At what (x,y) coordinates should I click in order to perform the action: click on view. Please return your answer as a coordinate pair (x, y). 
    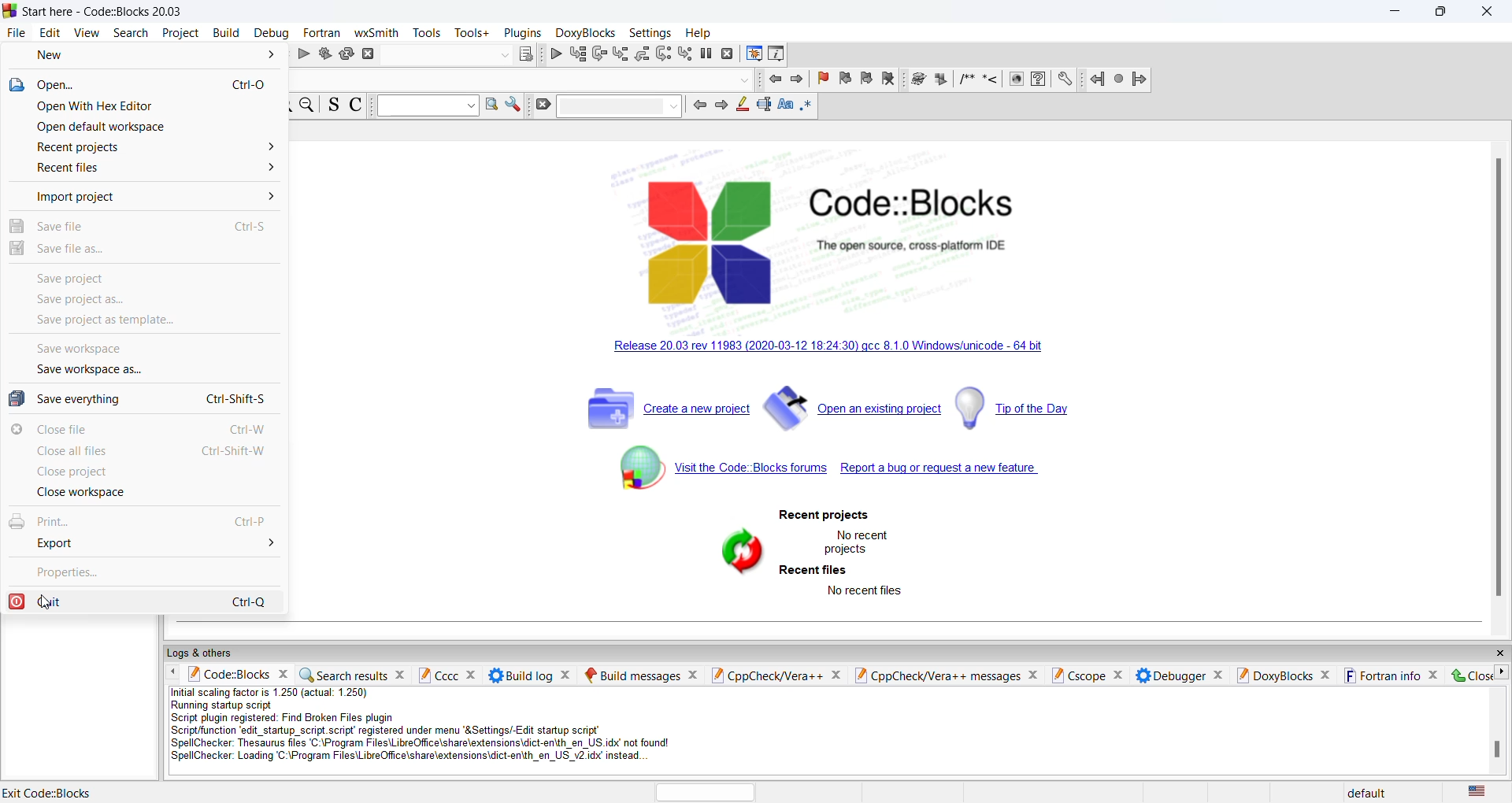
    Looking at the image, I should click on (87, 35).